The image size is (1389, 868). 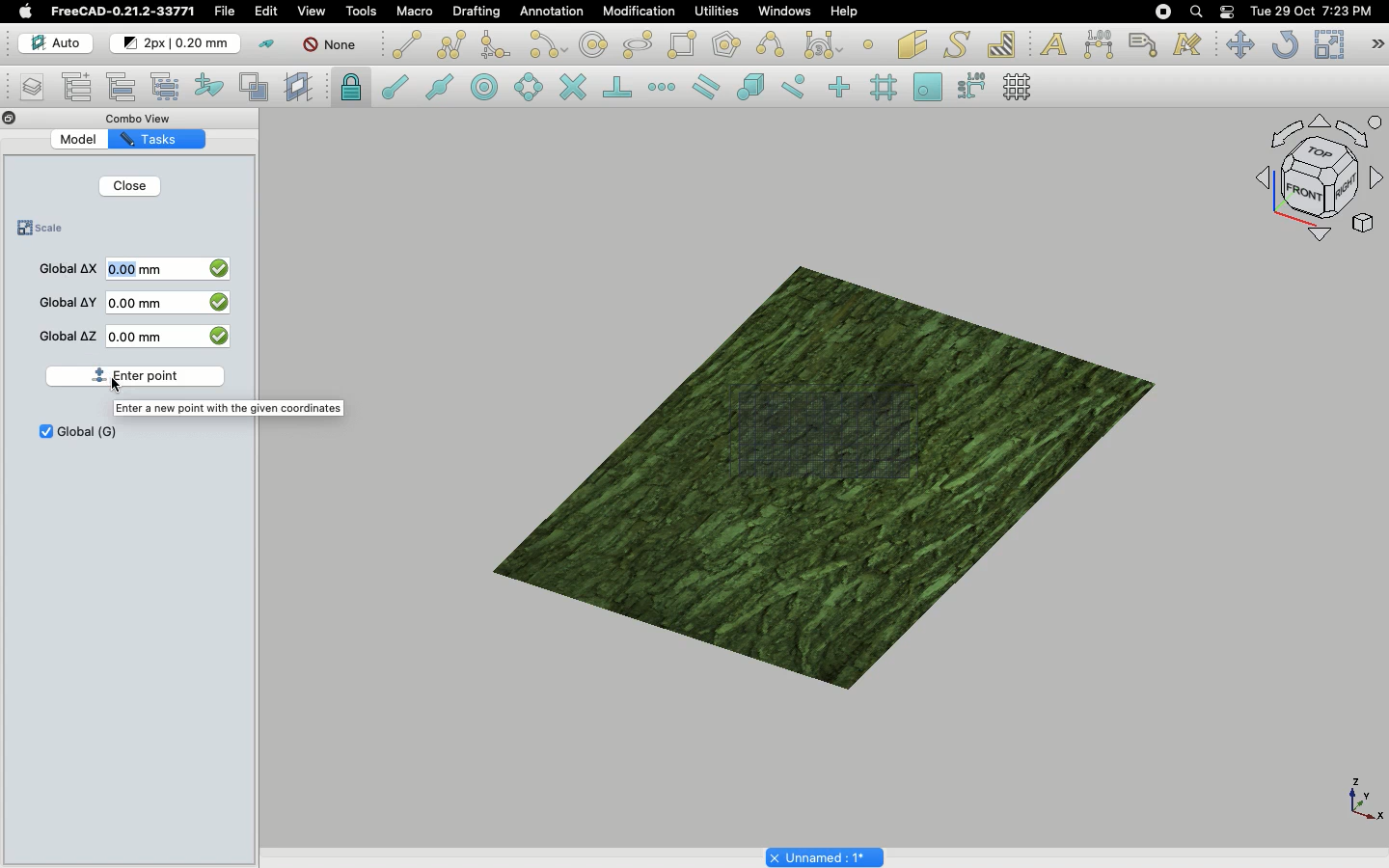 I want to click on Recording, so click(x=1162, y=11).